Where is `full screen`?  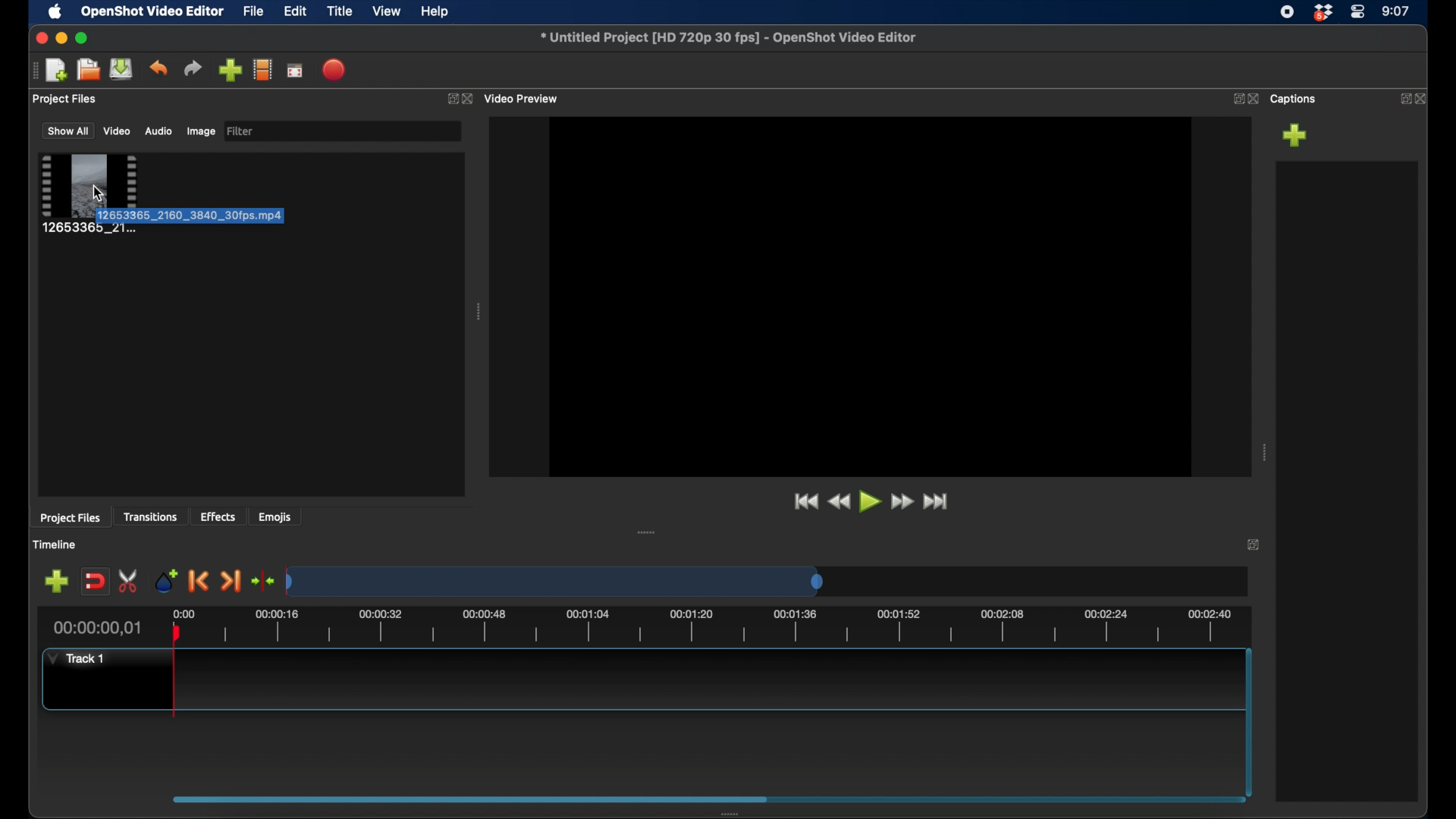
full screen is located at coordinates (295, 71).